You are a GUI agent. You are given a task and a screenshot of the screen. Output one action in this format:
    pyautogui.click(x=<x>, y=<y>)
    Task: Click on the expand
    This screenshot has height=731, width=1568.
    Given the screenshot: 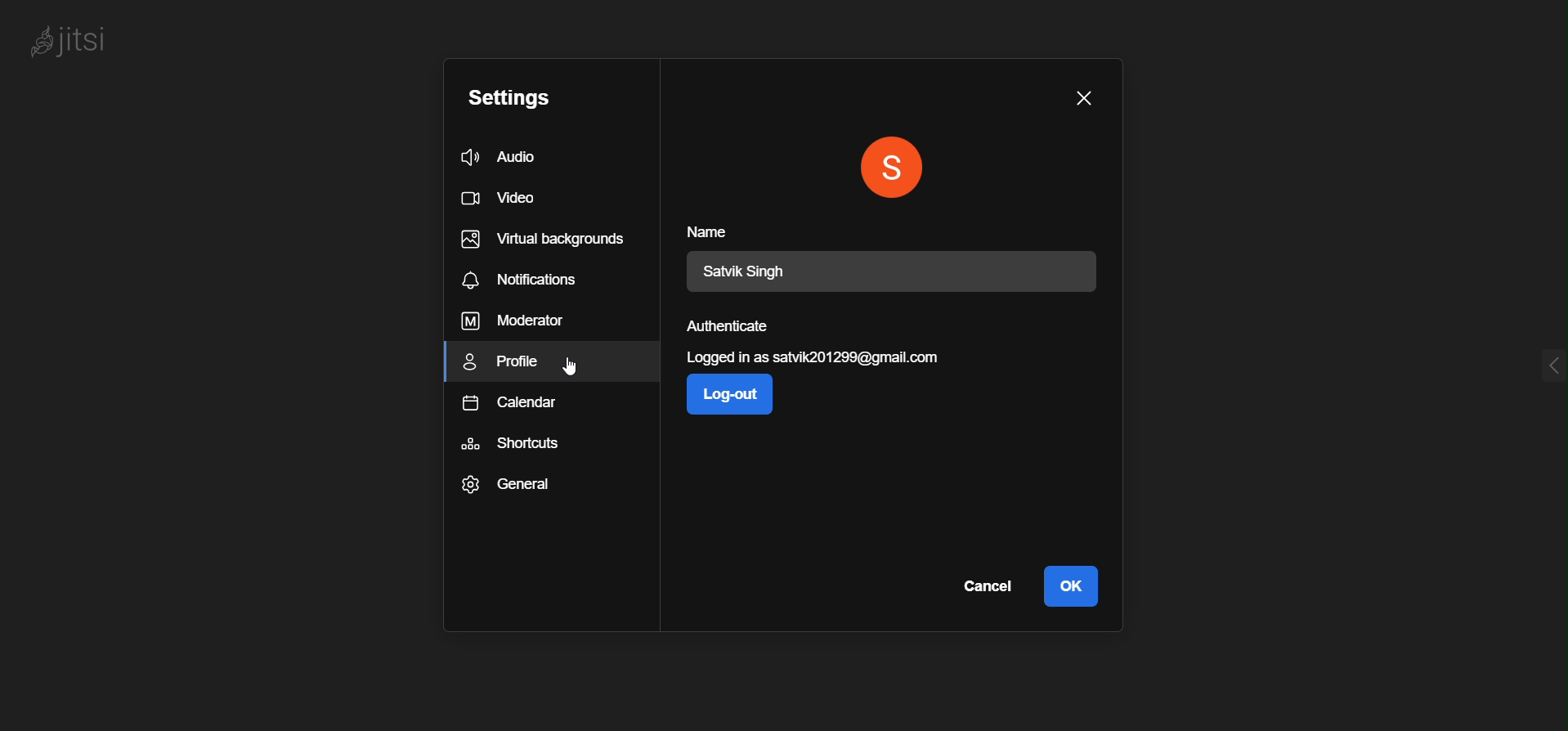 What is the action you would take?
    pyautogui.click(x=1545, y=361)
    